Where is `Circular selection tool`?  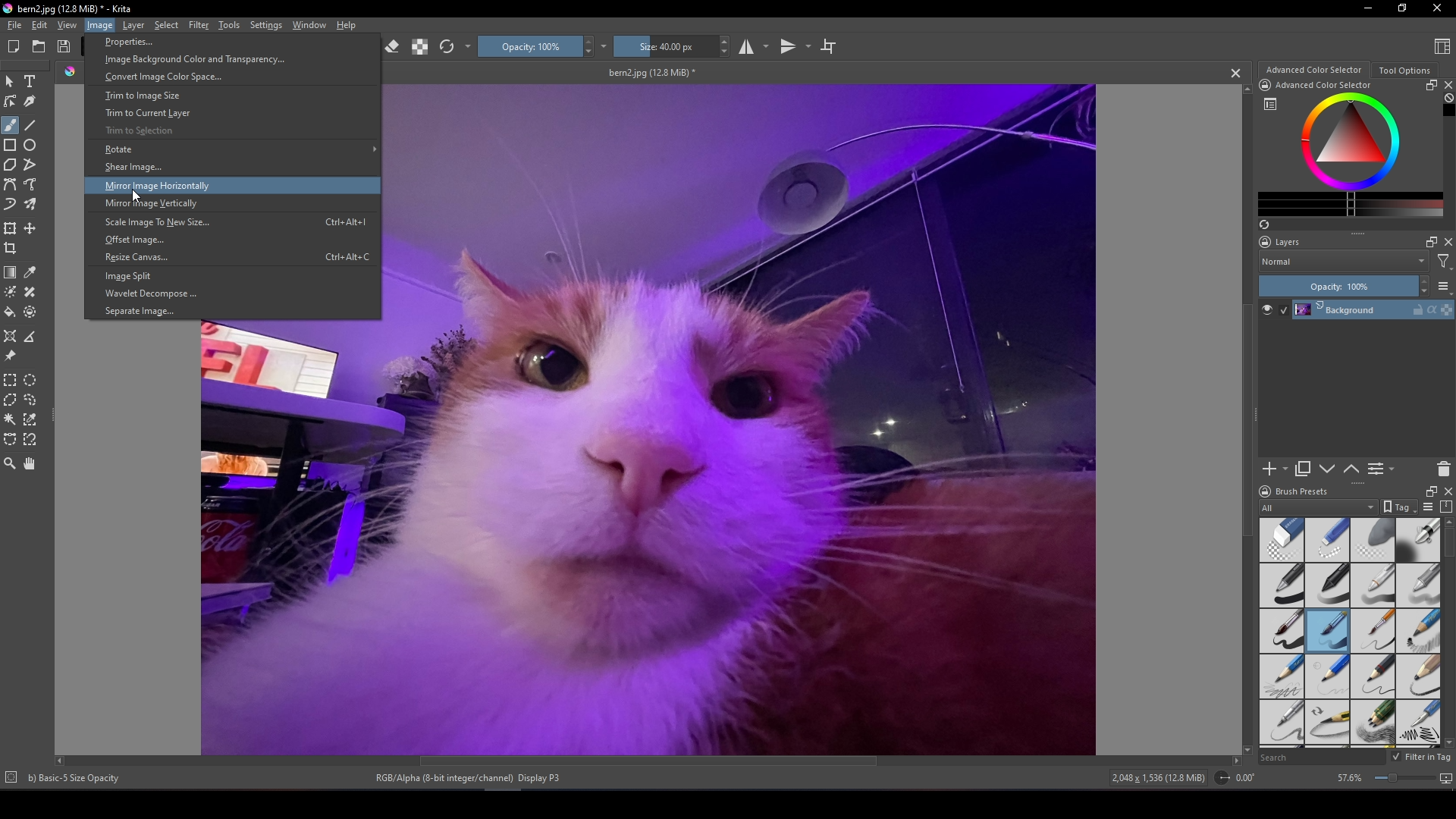 Circular selection tool is located at coordinates (30, 380).